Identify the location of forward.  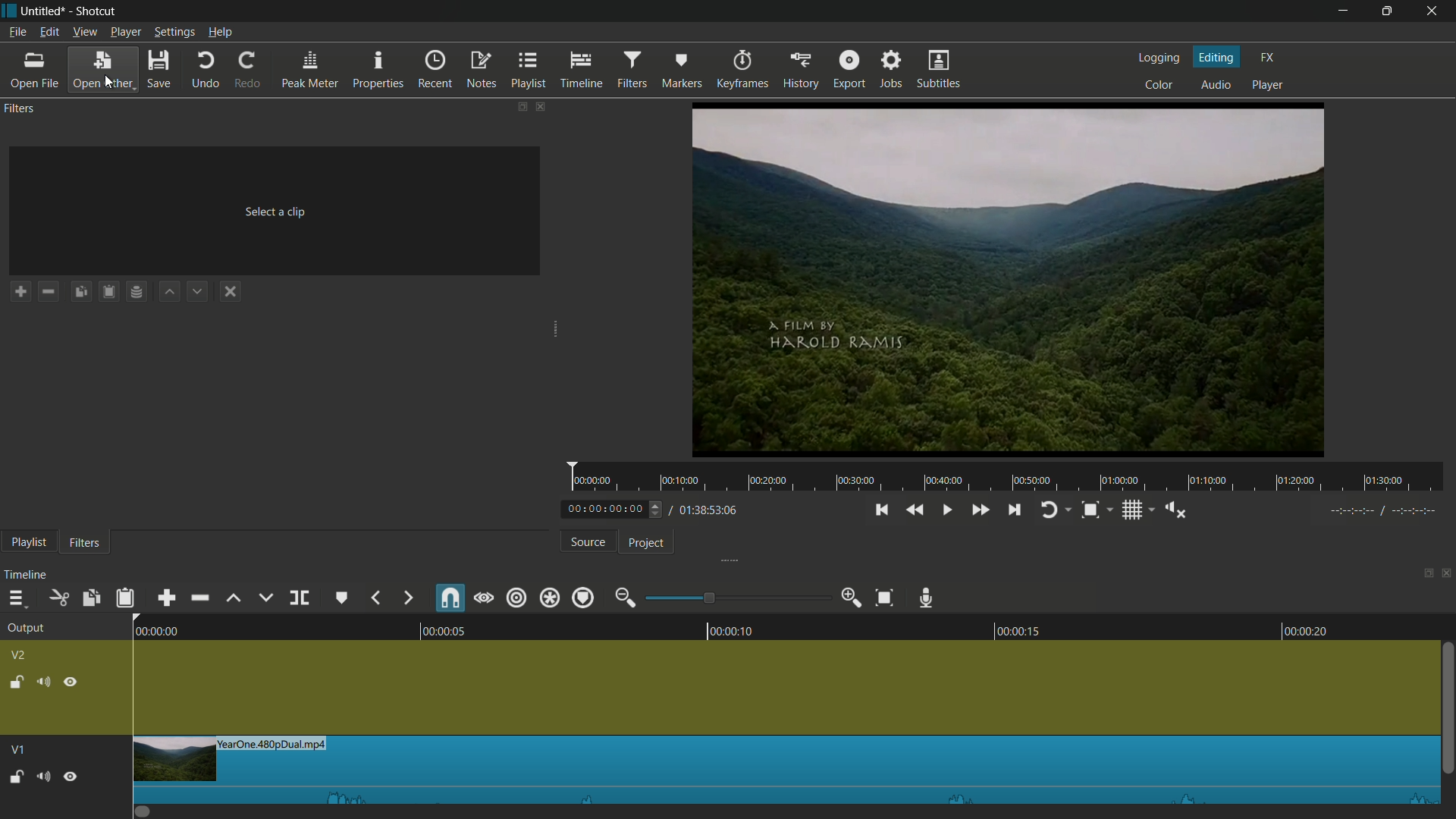
(407, 598).